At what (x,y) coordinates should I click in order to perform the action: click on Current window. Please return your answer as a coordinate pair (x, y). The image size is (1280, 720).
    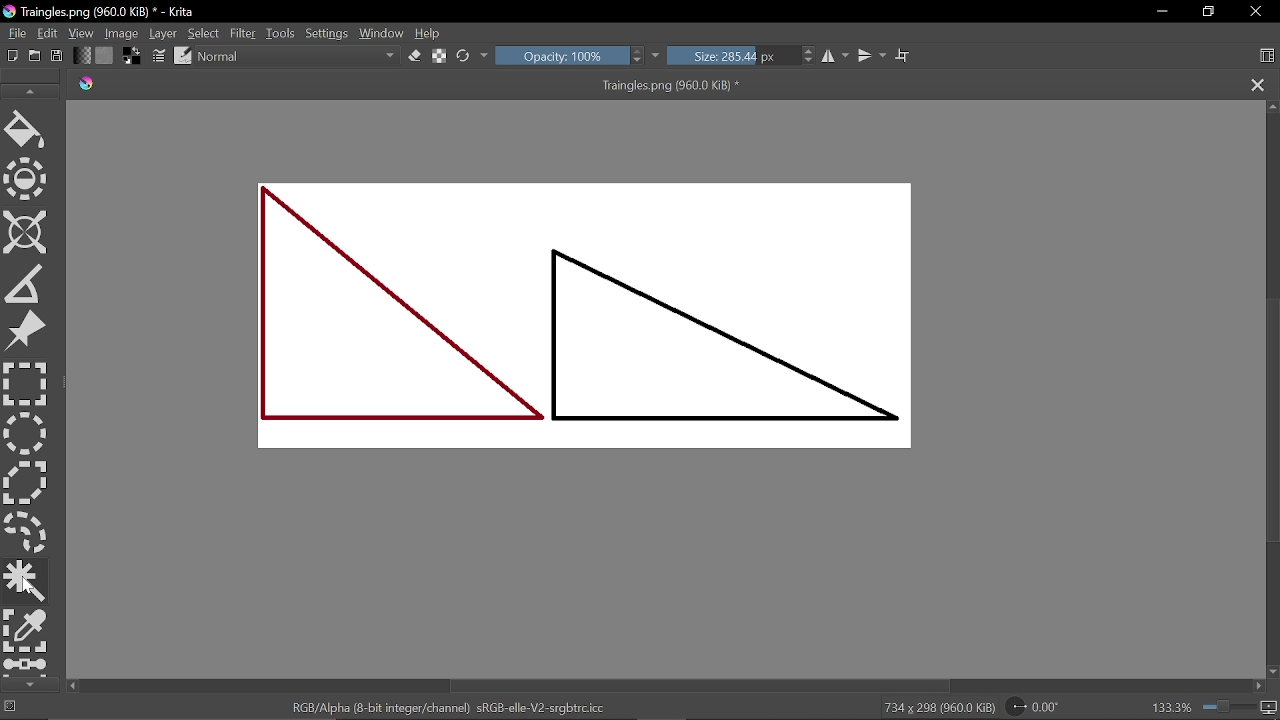
    Looking at the image, I should click on (102, 12).